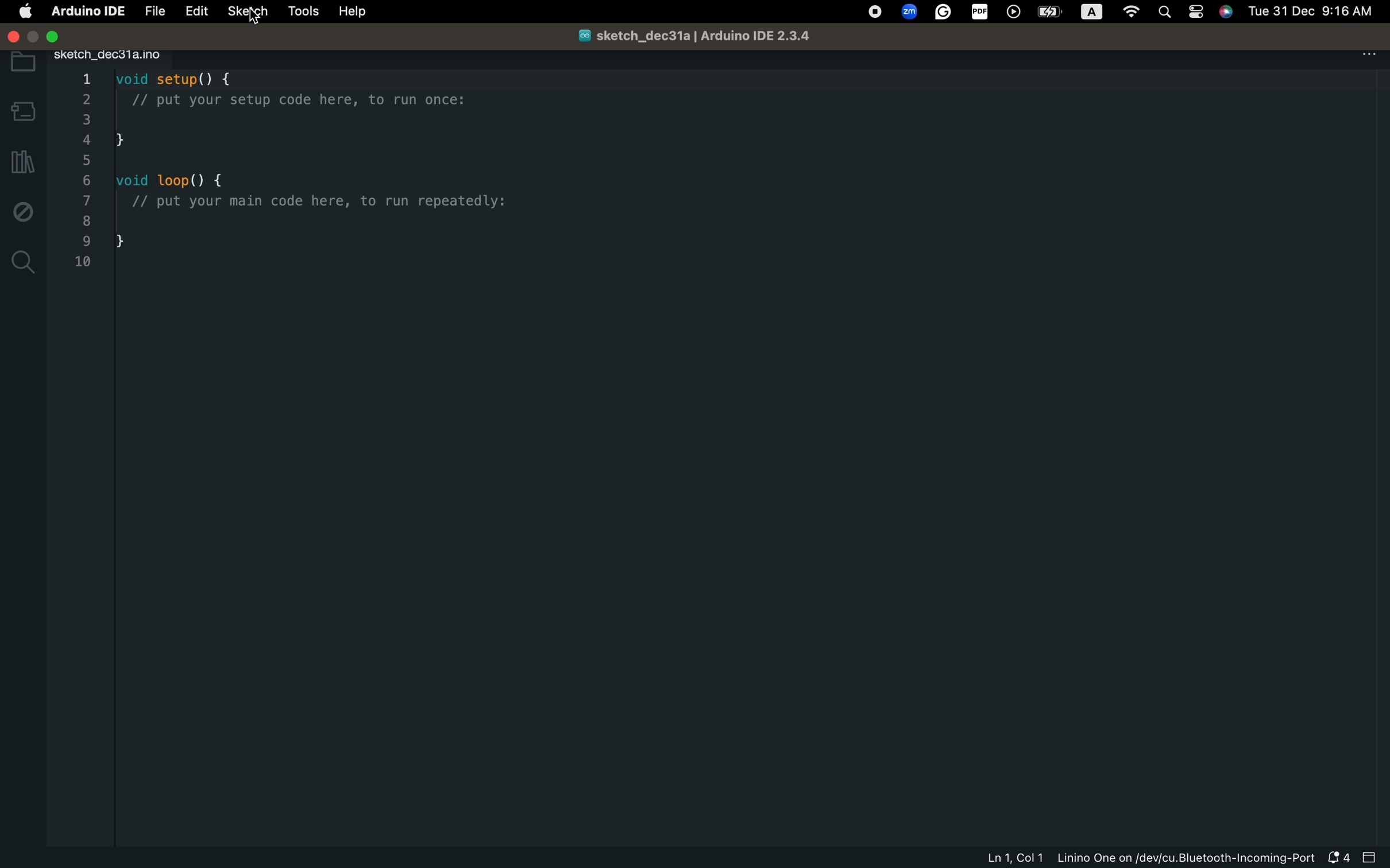 The image size is (1390, 868). I want to click on edit, so click(196, 12).